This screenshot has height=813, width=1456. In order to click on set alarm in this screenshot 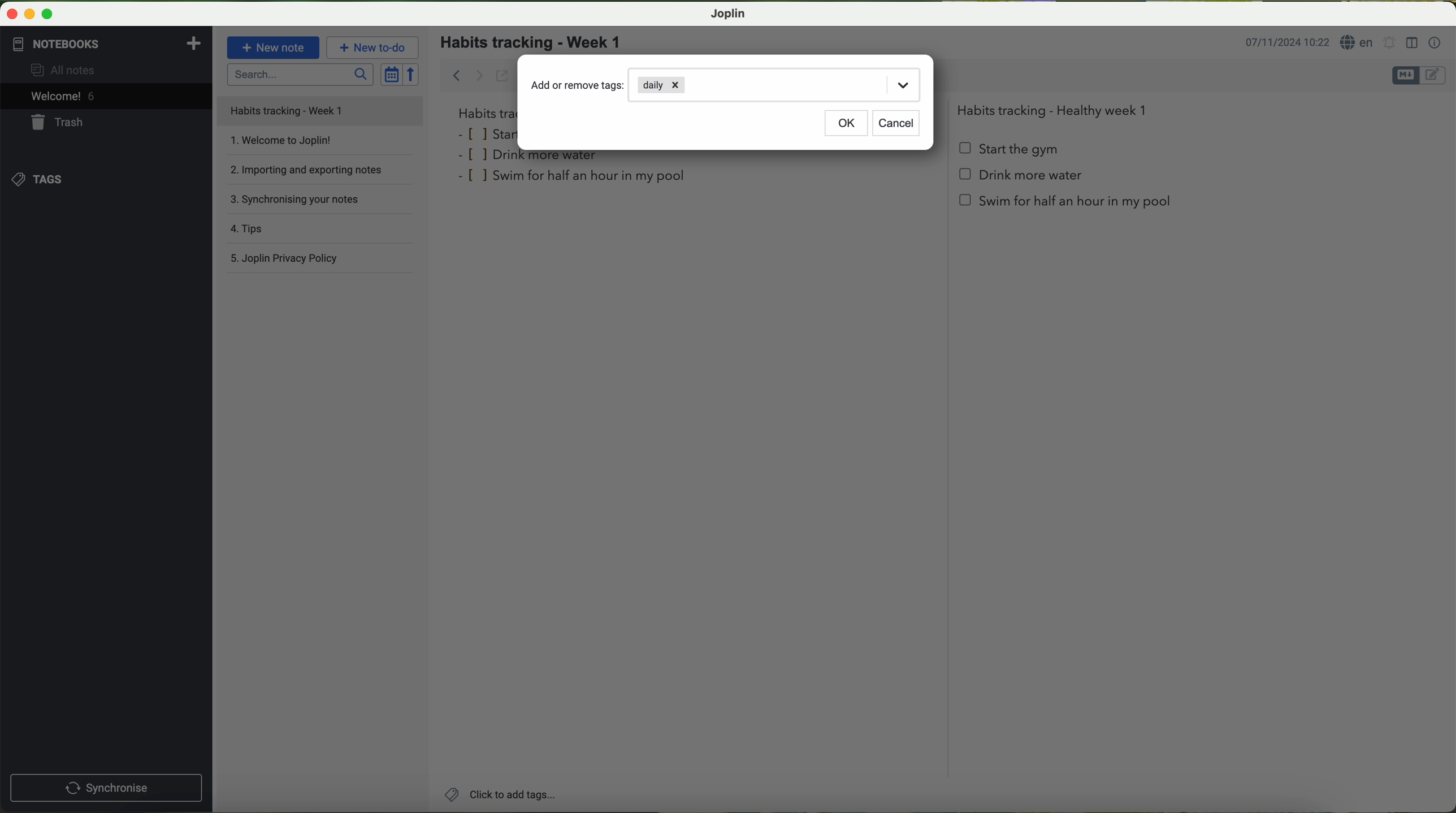, I will do `click(1390, 42)`.